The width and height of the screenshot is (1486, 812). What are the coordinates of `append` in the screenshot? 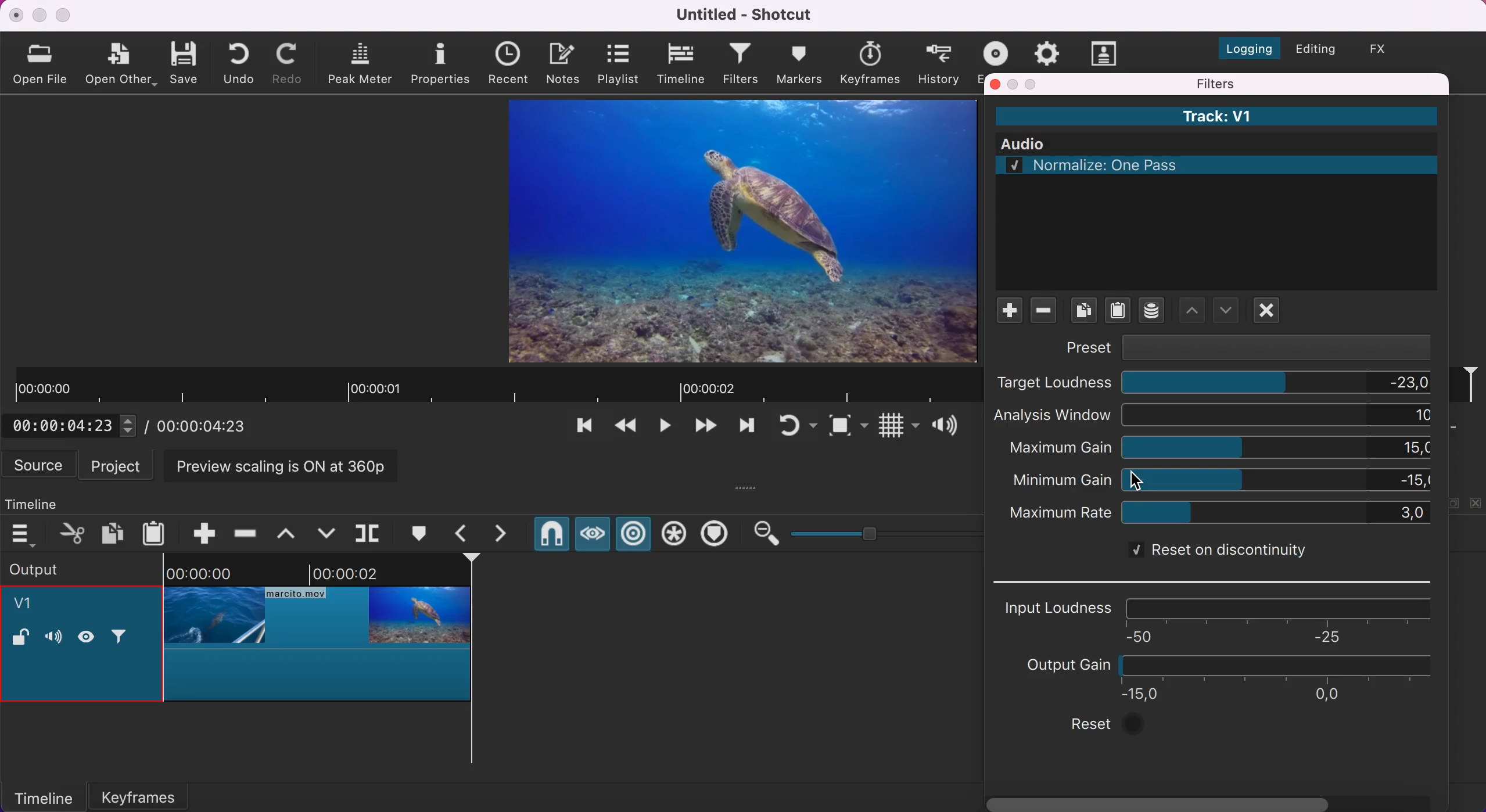 It's located at (196, 531).